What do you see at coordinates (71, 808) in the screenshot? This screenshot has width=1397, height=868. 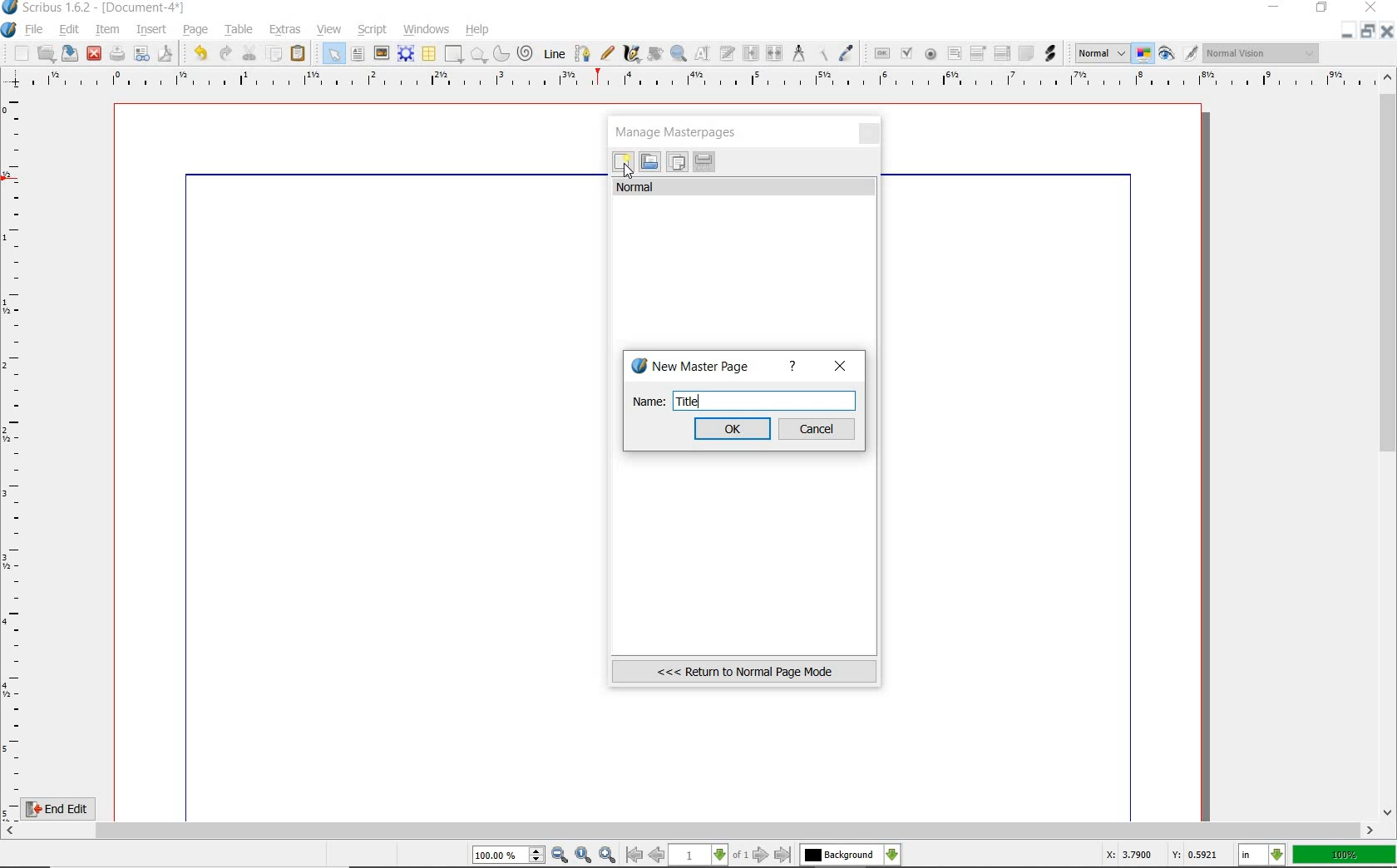 I see `End Edit` at bounding box center [71, 808].